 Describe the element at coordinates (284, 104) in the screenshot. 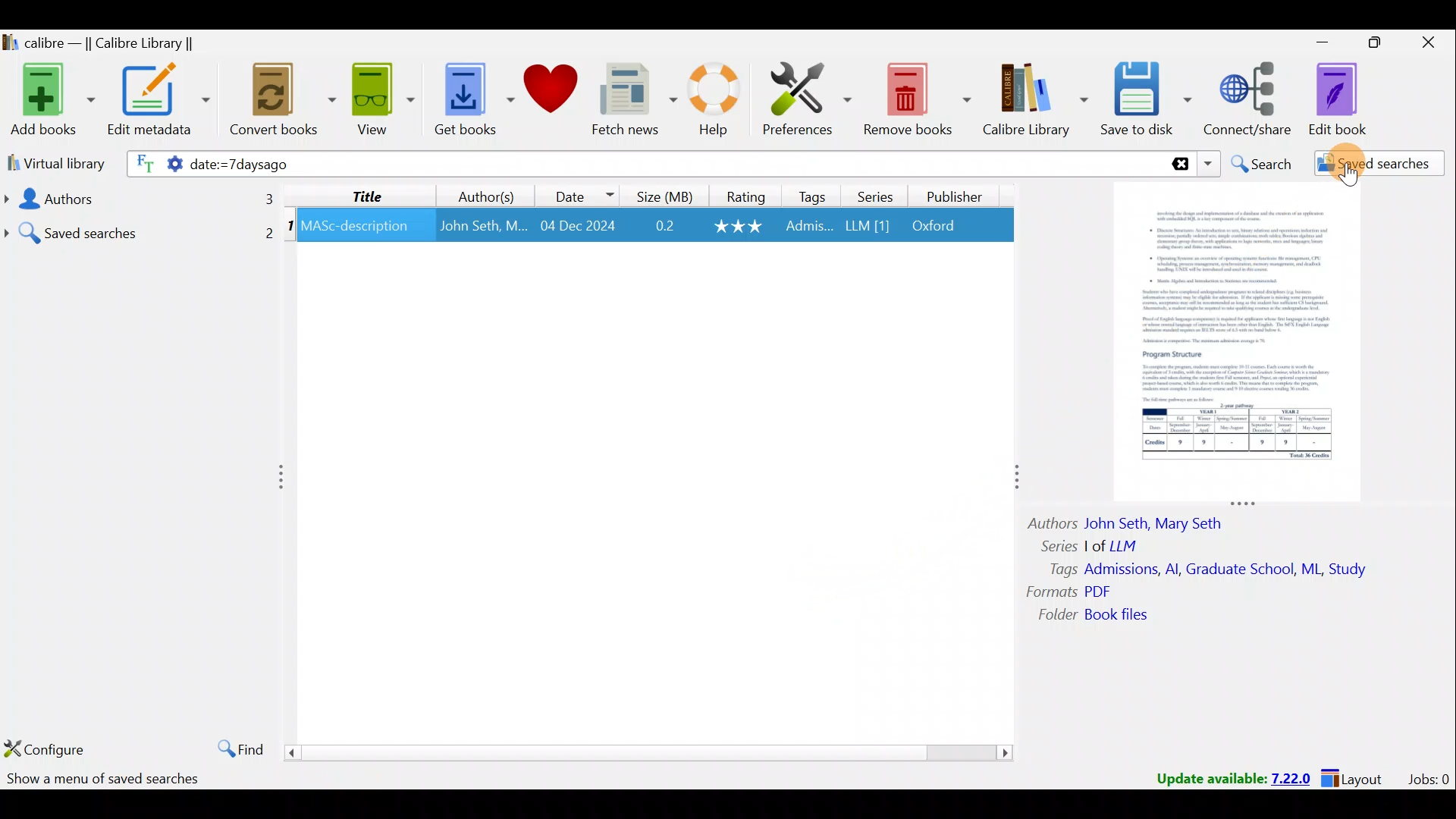

I see `Convert books` at that location.